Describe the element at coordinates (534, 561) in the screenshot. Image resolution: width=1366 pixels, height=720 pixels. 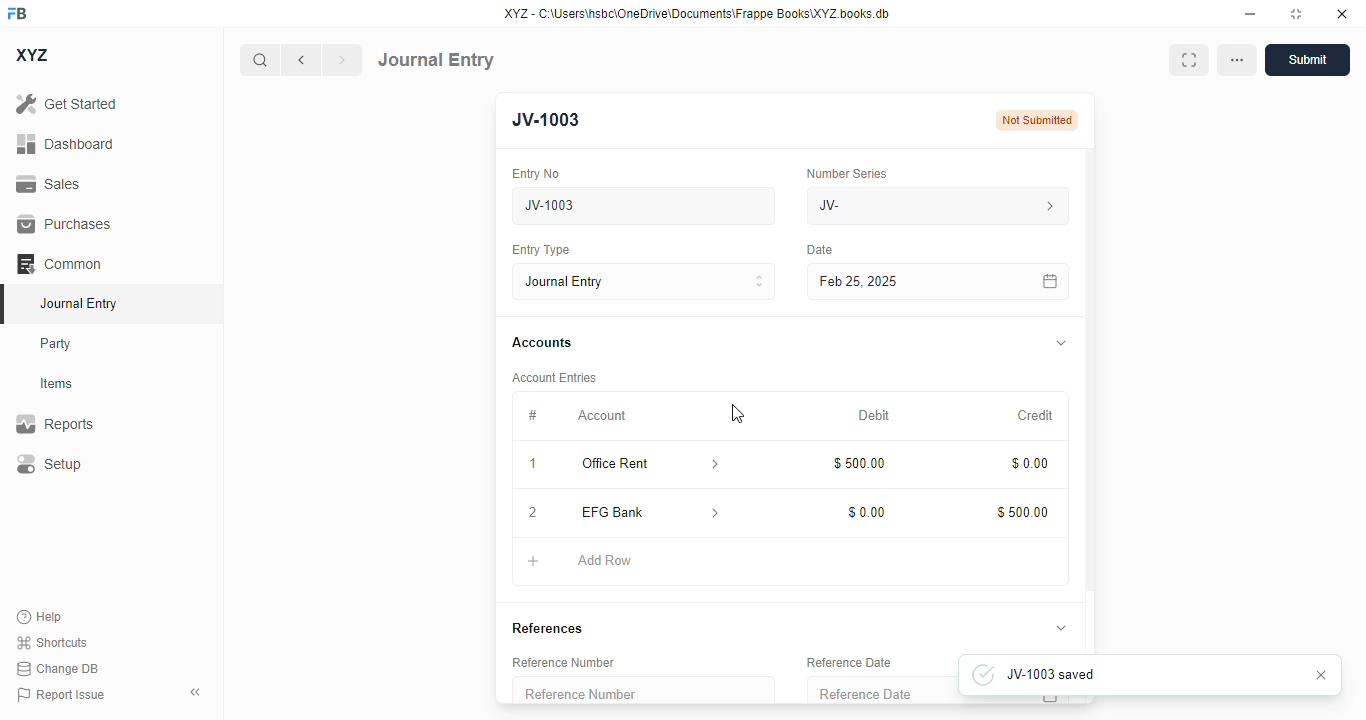
I see `add` at that location.